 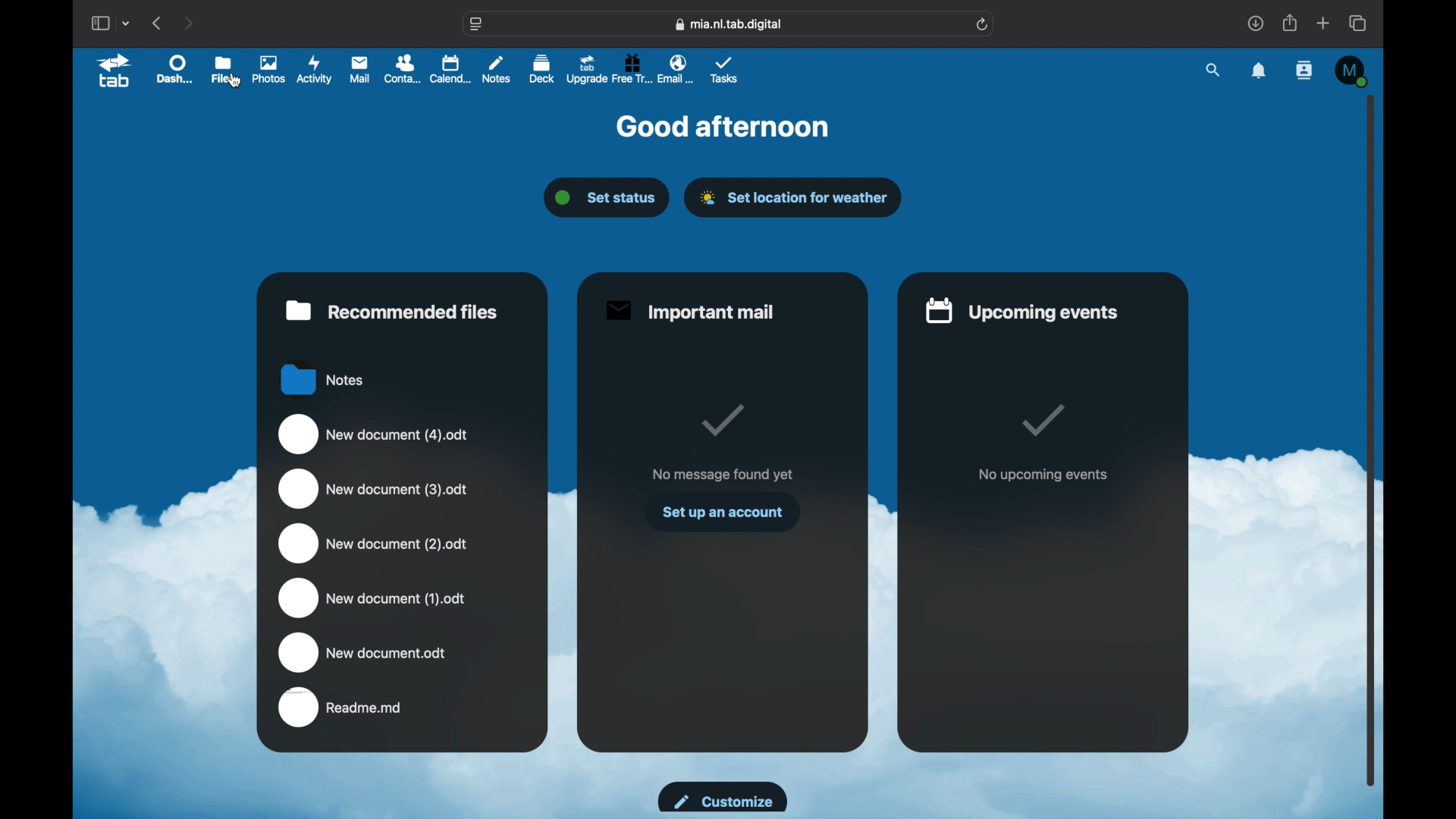 I want to click on photos, so click(x=268, y=69).